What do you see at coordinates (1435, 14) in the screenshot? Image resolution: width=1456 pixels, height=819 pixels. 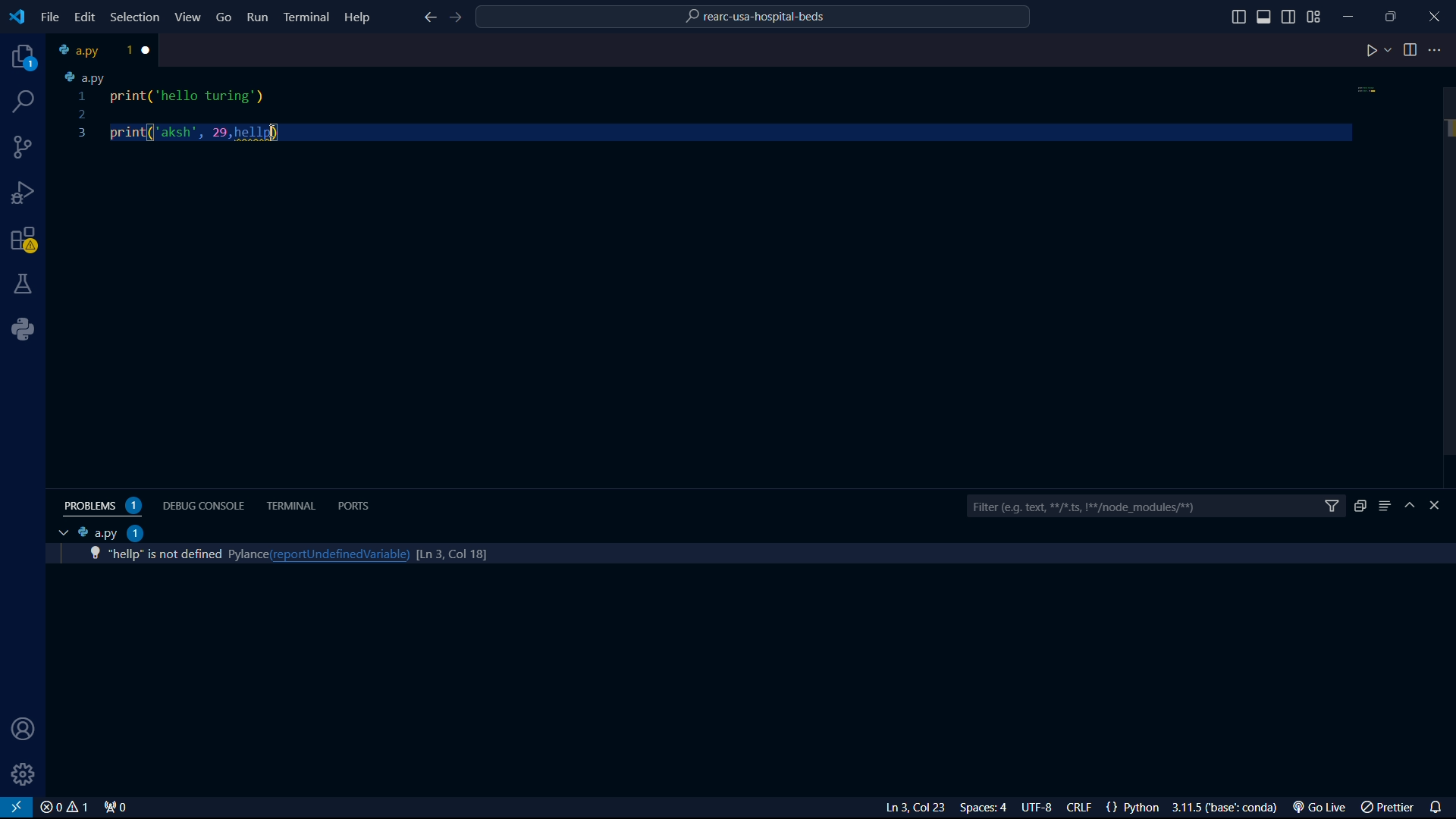 I see `close program` at bounding box center [1435, 14].